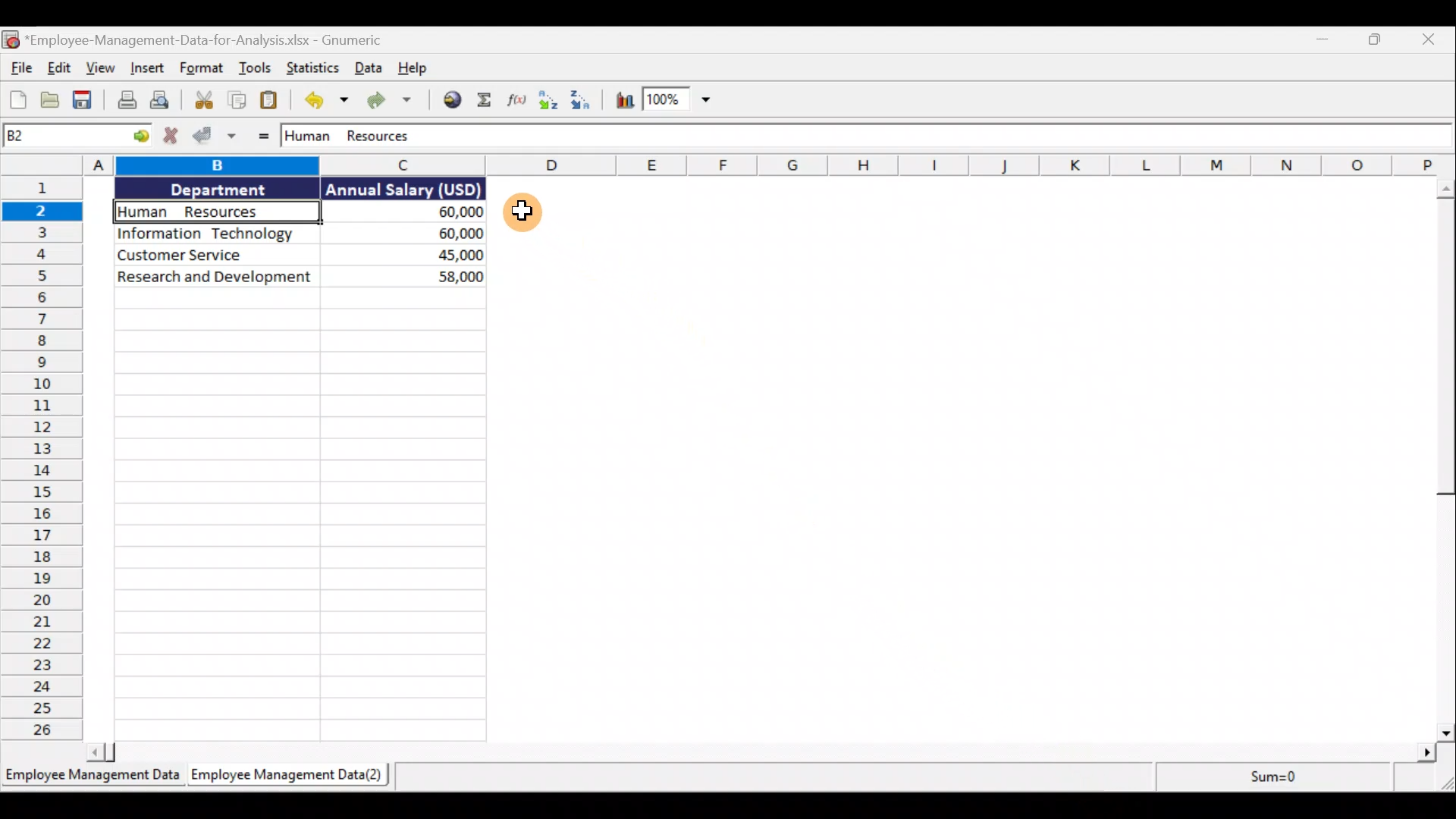 The height and width of the screenshot is (819, 1456). I want to click on Statistics, so click(313, 68).